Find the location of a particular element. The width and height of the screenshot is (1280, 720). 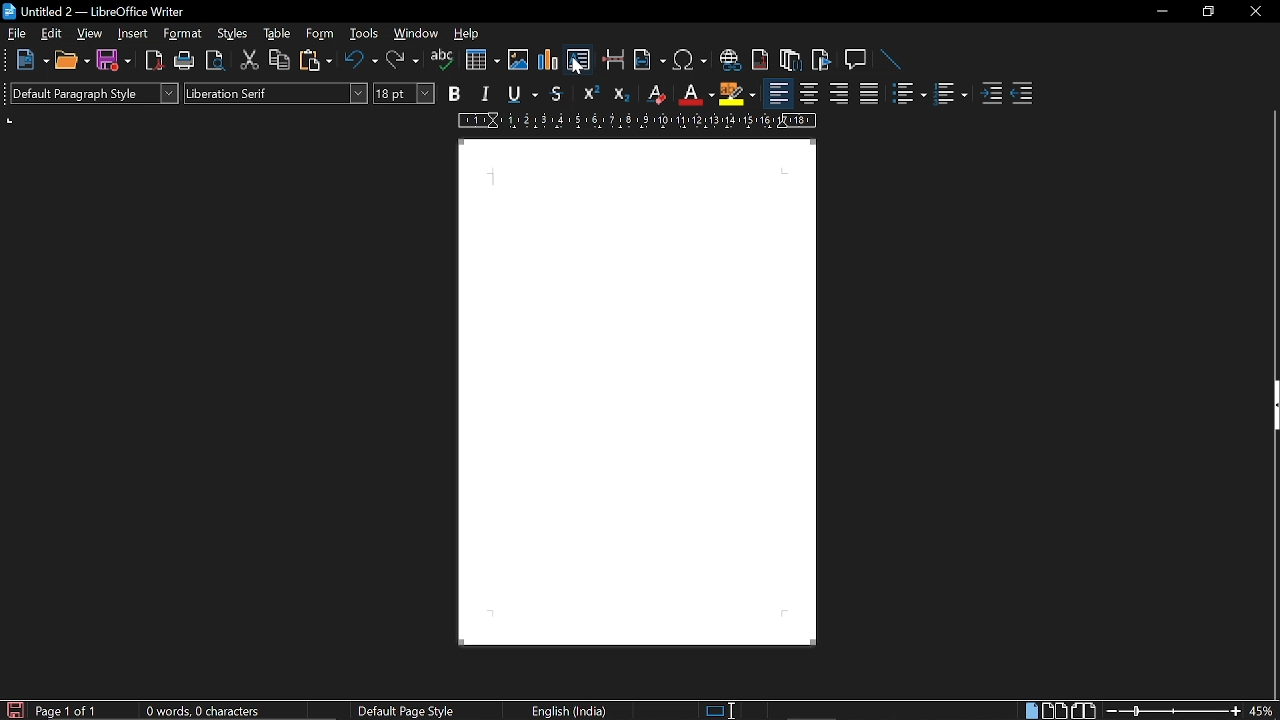

indent left is located at coordinates (991, 95).